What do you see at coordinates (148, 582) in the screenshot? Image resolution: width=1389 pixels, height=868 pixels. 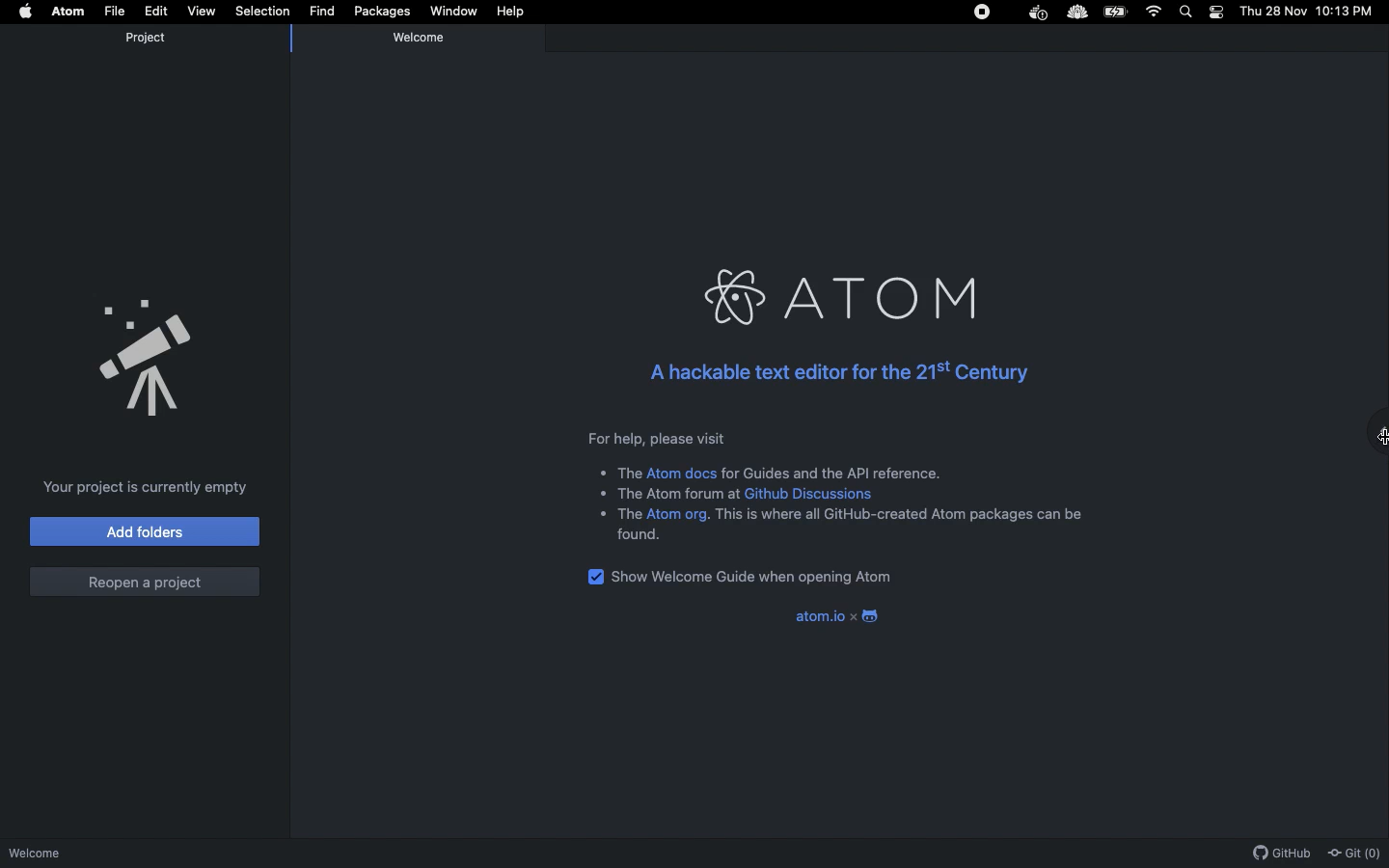 I see `Reopen a project` at bounding box center [148, 582].